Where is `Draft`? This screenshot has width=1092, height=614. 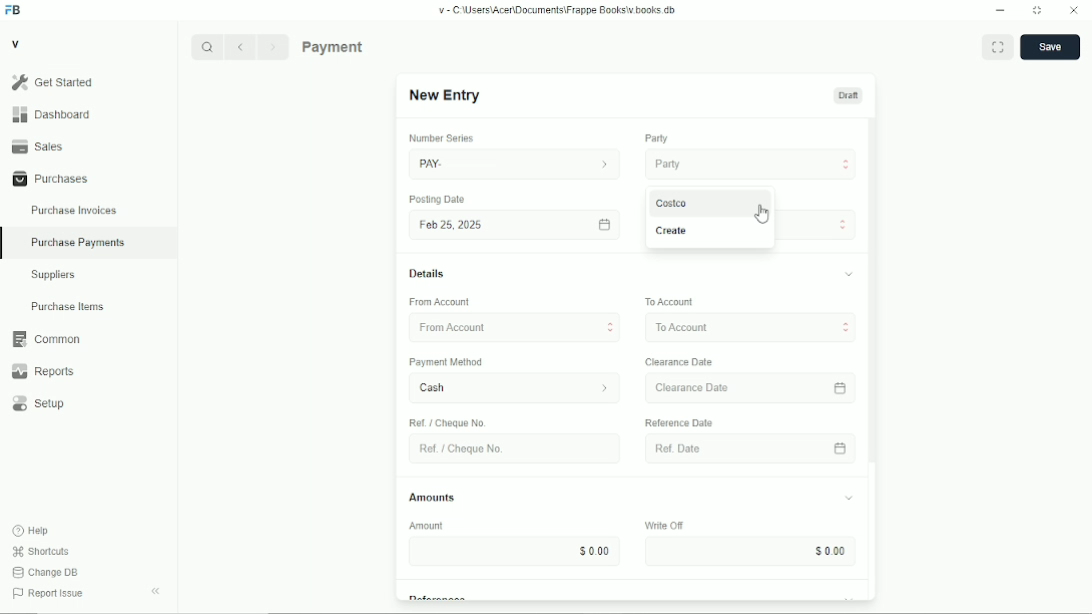
Draft is located at coordinates (848, 95).